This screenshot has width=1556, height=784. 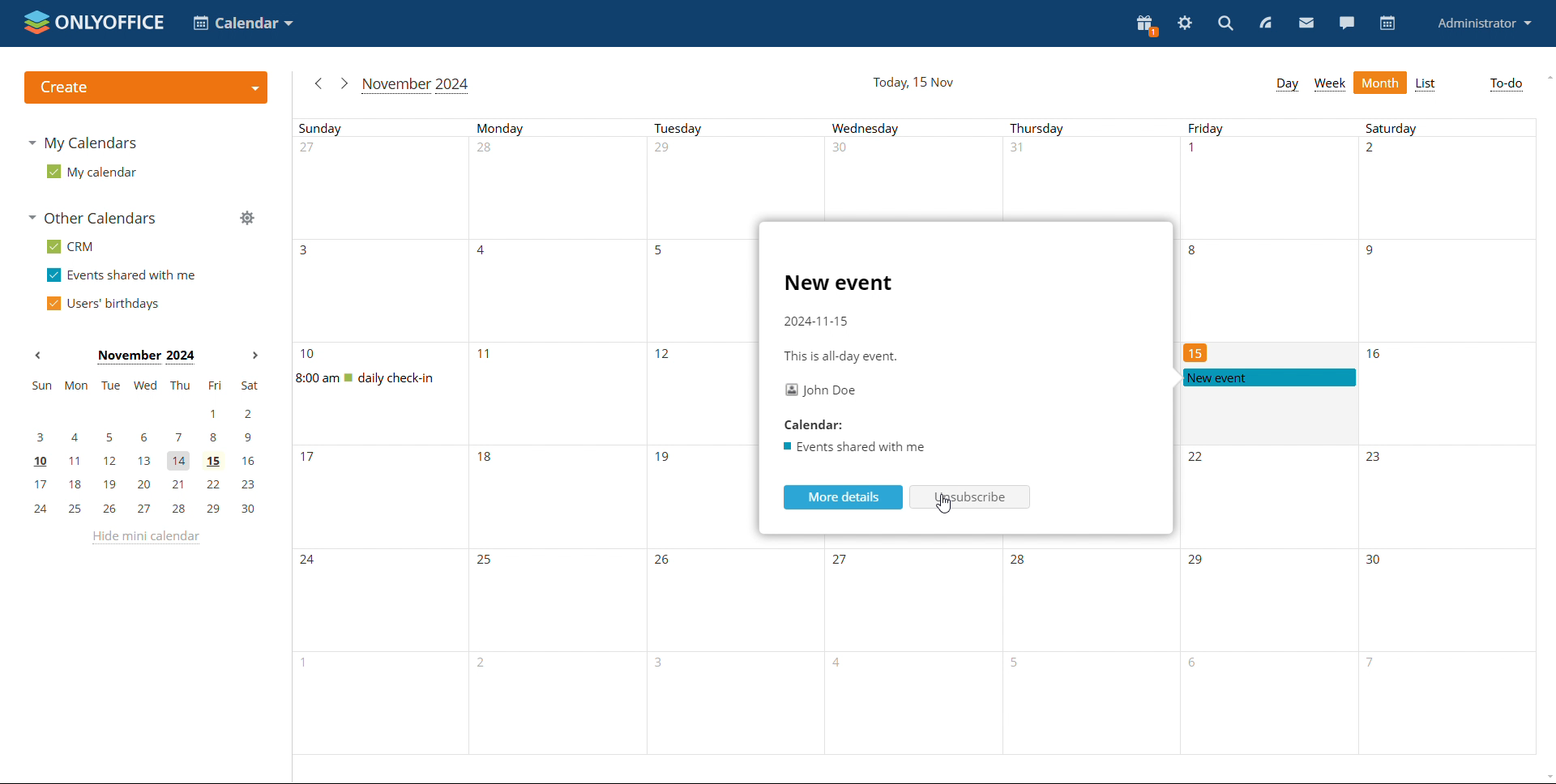 I want to click on 10, 11, 12, 13, 14, 15, 16, so click(x=145, y=460).